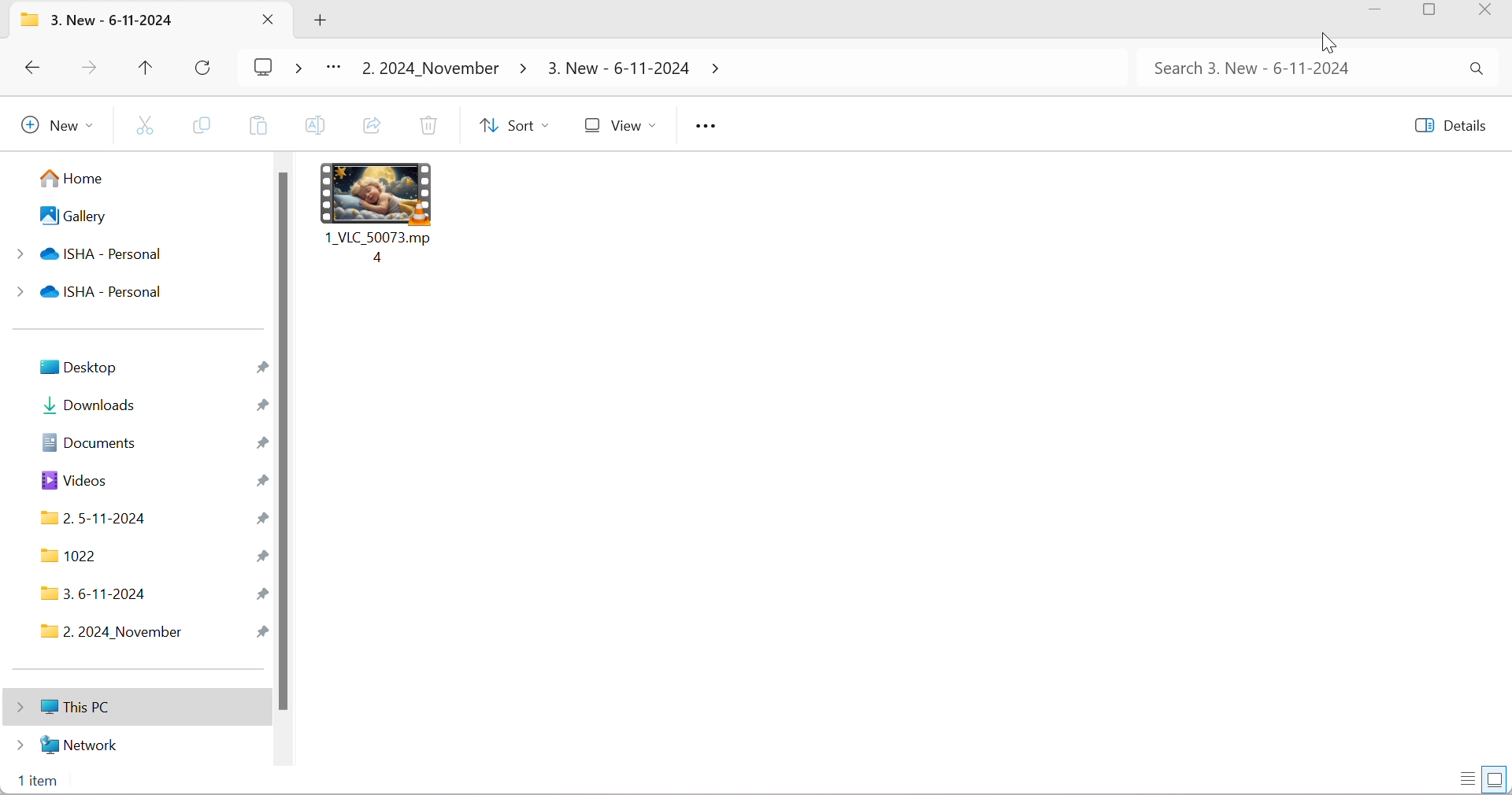 The height and width of the screenshot is (795, 1512). What do you see at coordinates (88, 68) in the screenshot?
I see `Forward` at bounding box center [88, 68].